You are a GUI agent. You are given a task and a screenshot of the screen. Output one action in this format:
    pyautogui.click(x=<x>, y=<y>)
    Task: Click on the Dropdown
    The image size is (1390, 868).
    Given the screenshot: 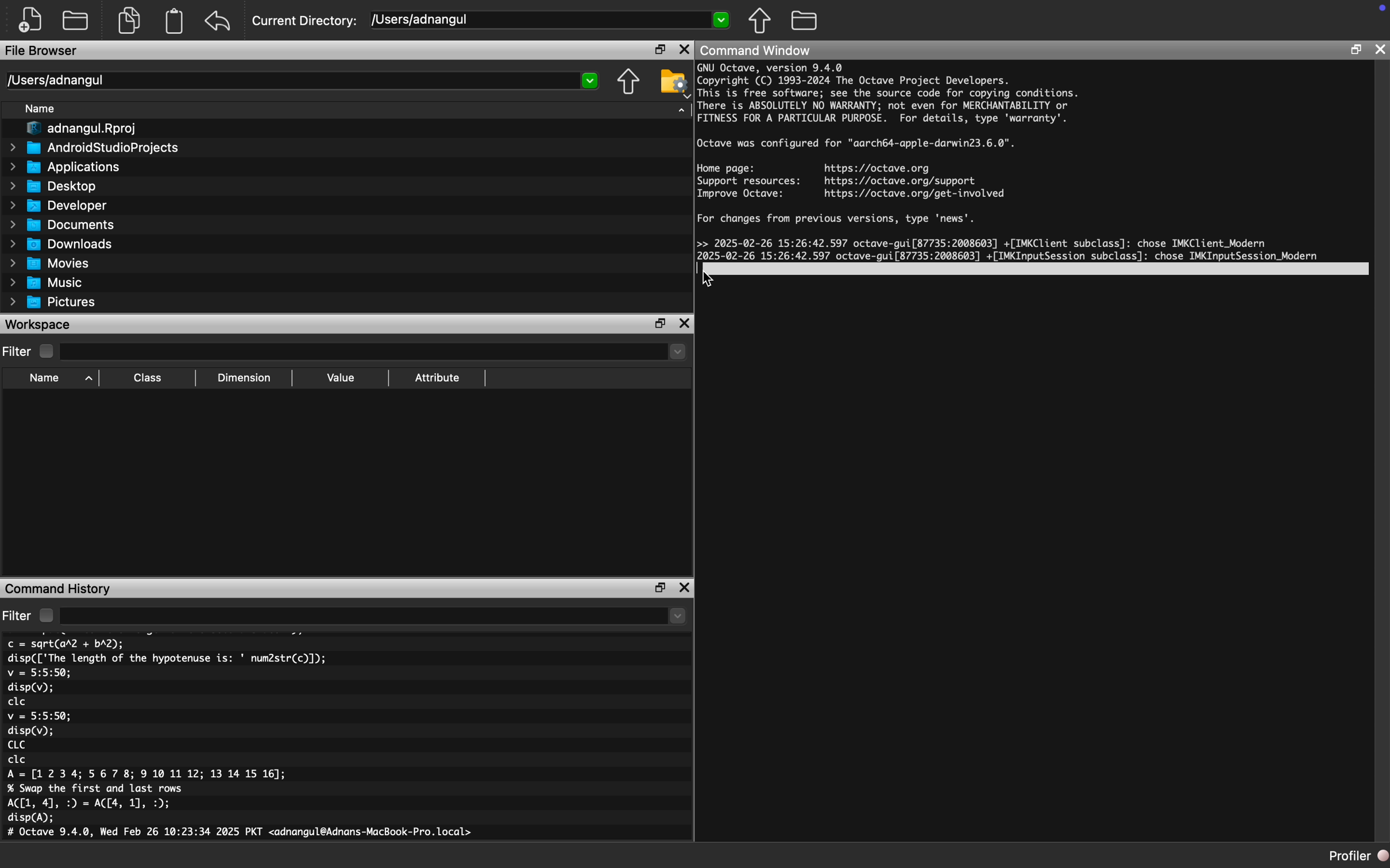 What is the action you would take?
    pyautogui.click(x=376, y=353)
    